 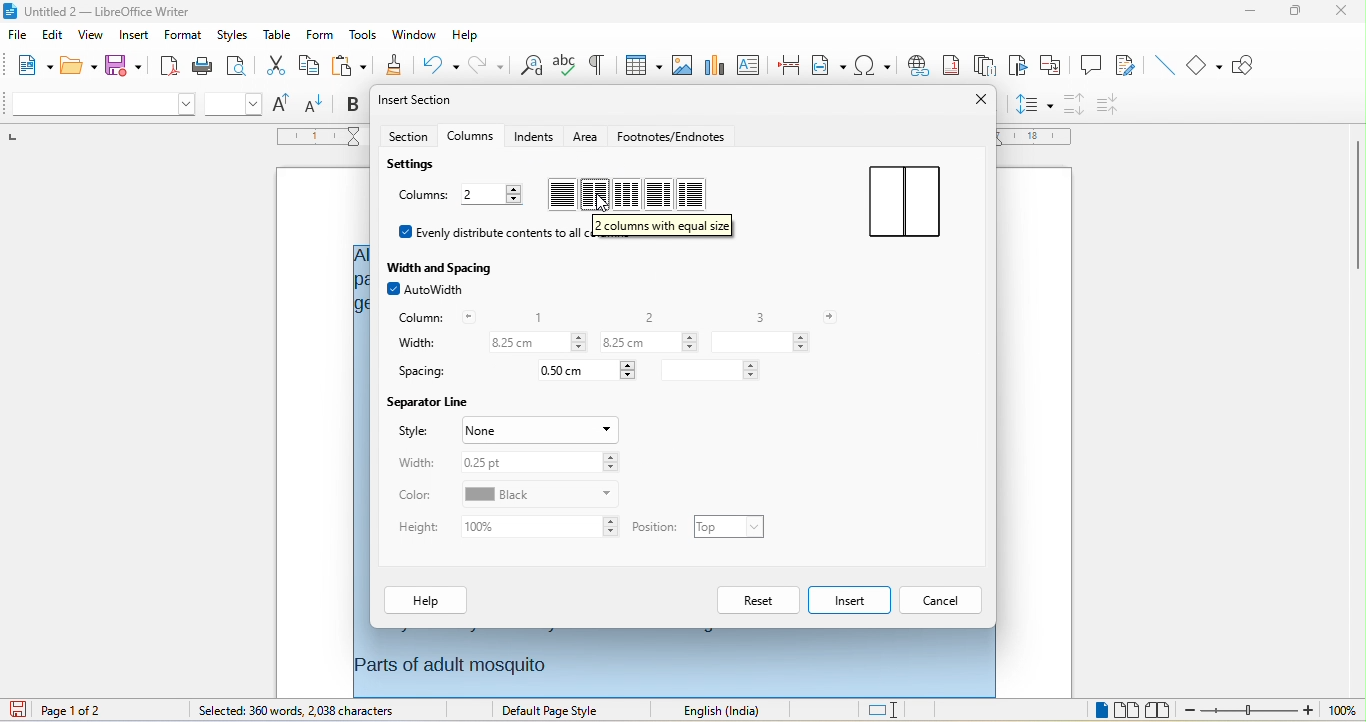 What do you see at coordinates (543, 528) in the screenshot?
I see `set height` at bounding box center [543, 528].